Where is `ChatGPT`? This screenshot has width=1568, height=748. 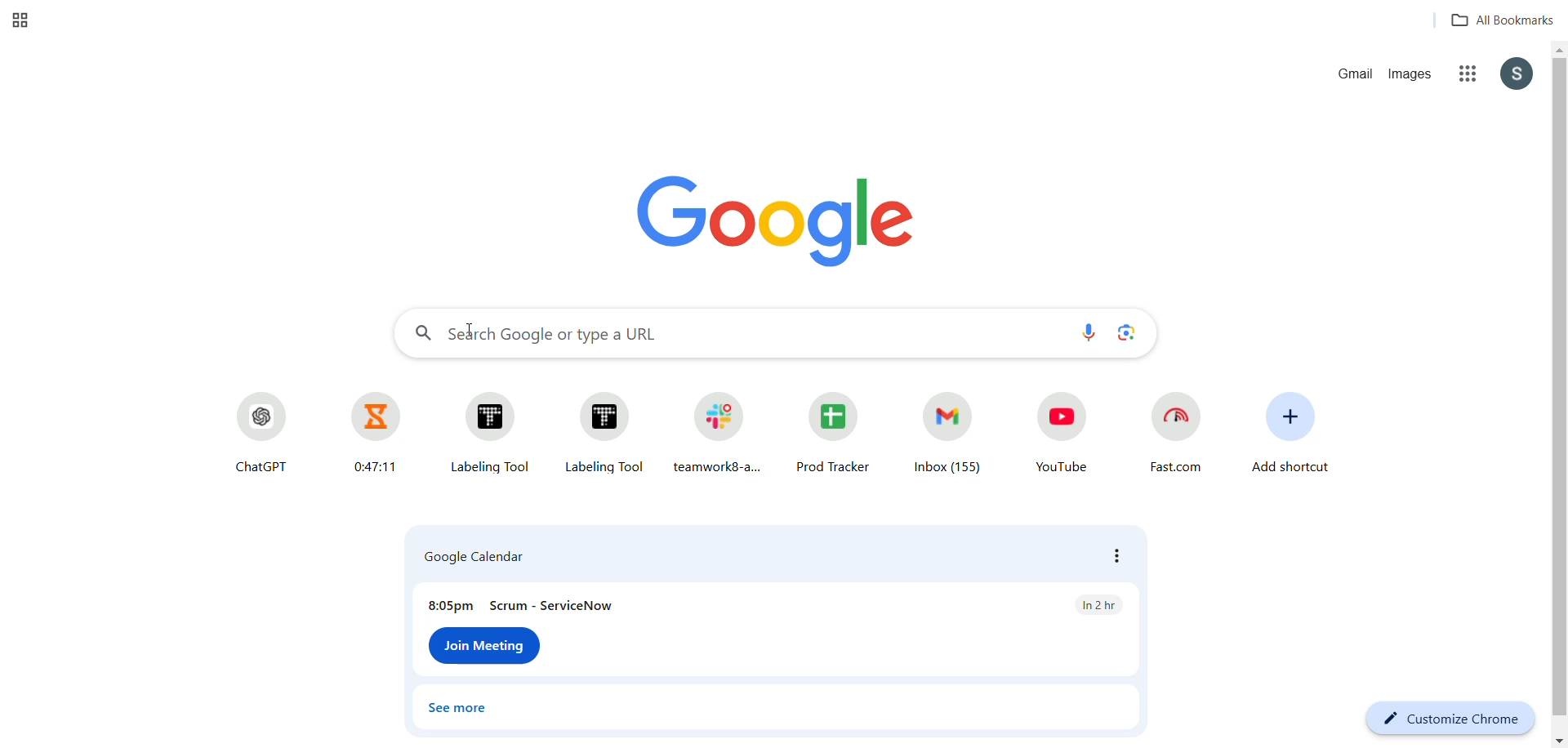 ChatGPT is located at coordinates (257, 433).